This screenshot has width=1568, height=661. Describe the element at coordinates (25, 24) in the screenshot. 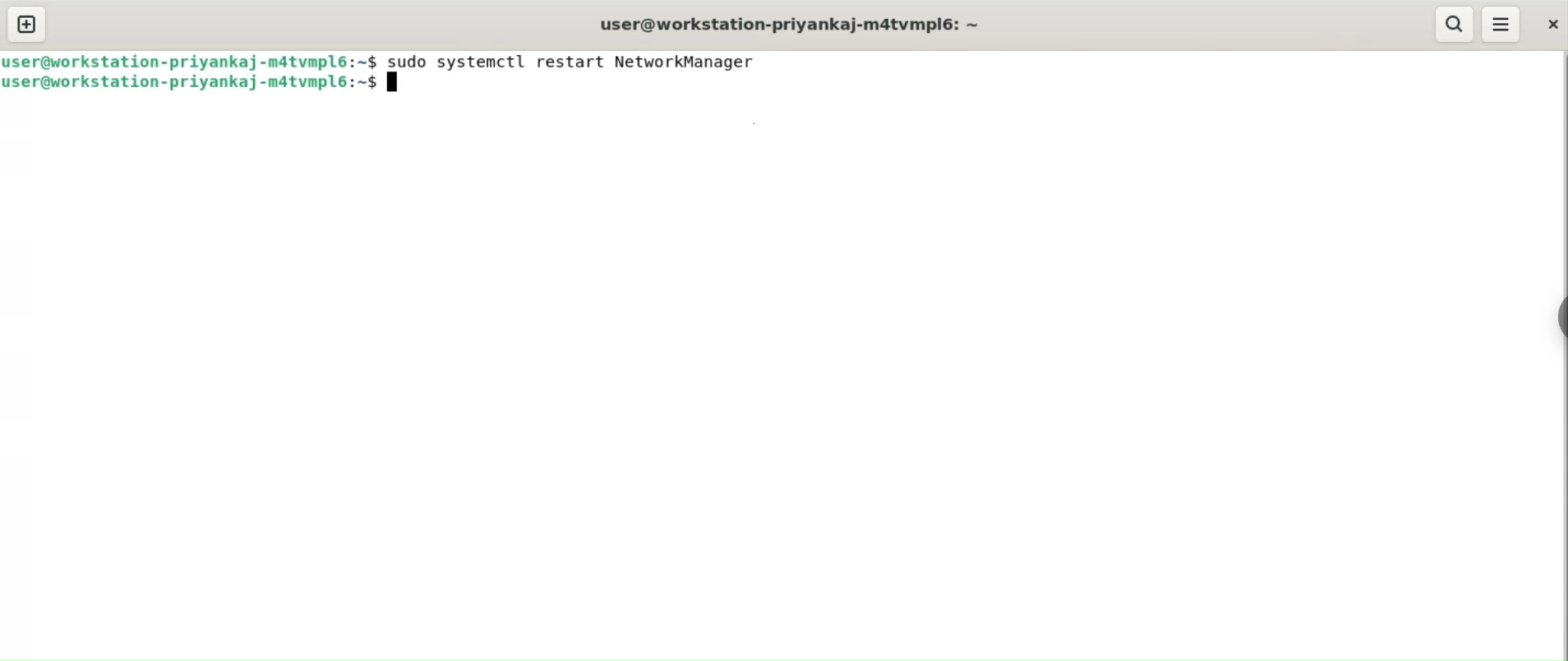

I see `new tab` at that location.